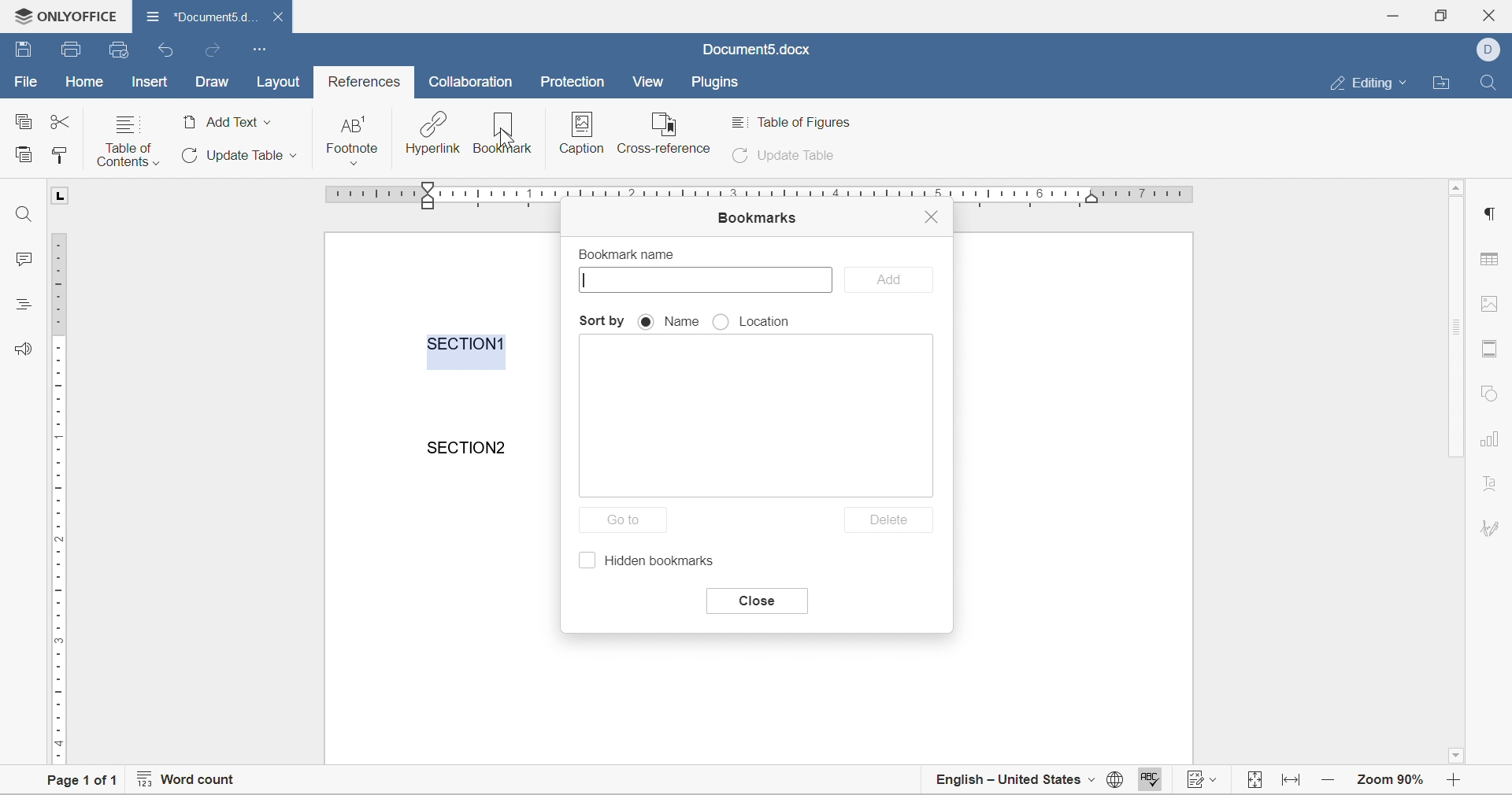  What do you see at coordinates (365, 82) in the screenshot?
I see `references` at bounding box center [365, 82].